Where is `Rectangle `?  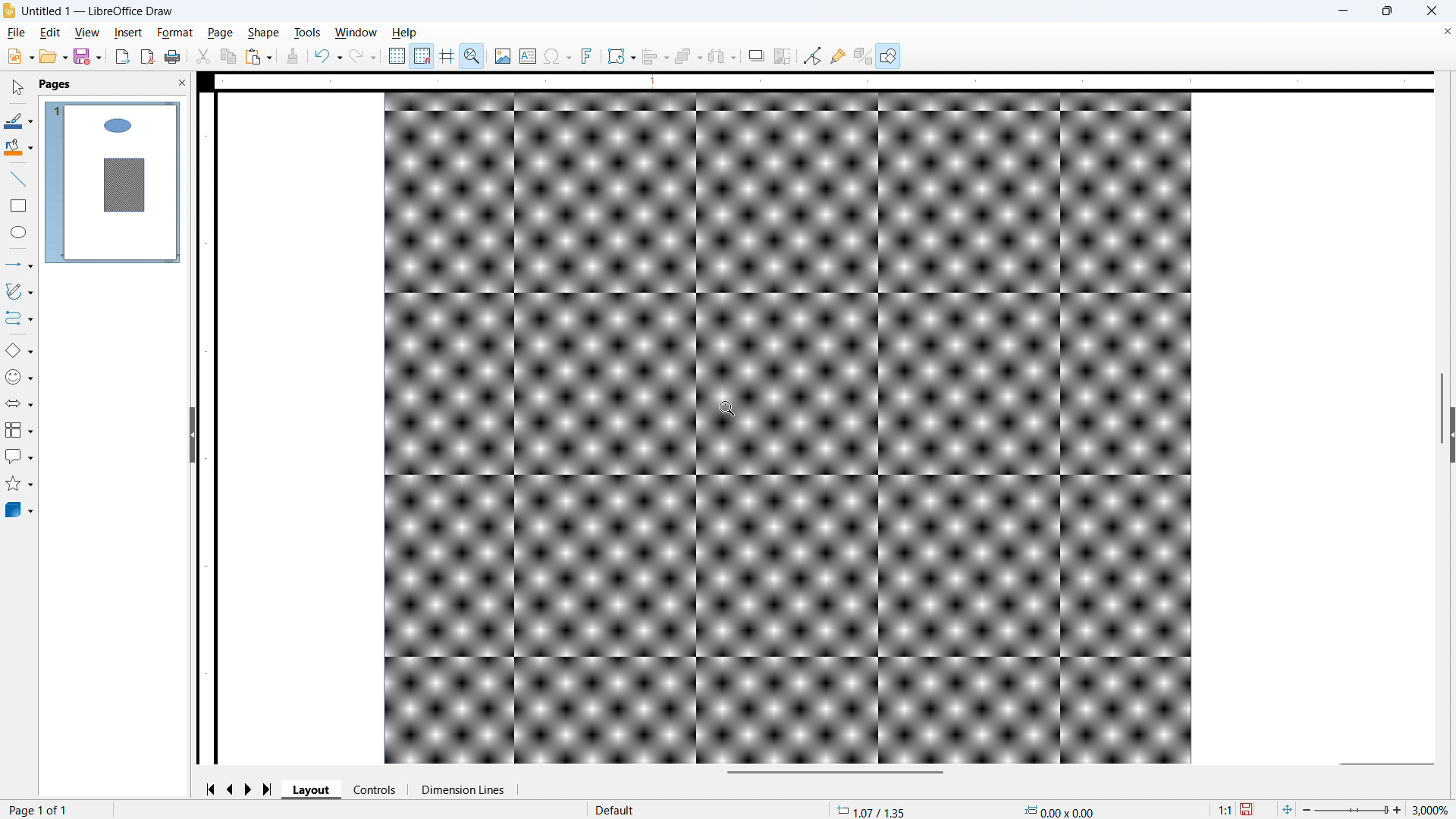 Rectangle  is located at coordinates (19, 206).